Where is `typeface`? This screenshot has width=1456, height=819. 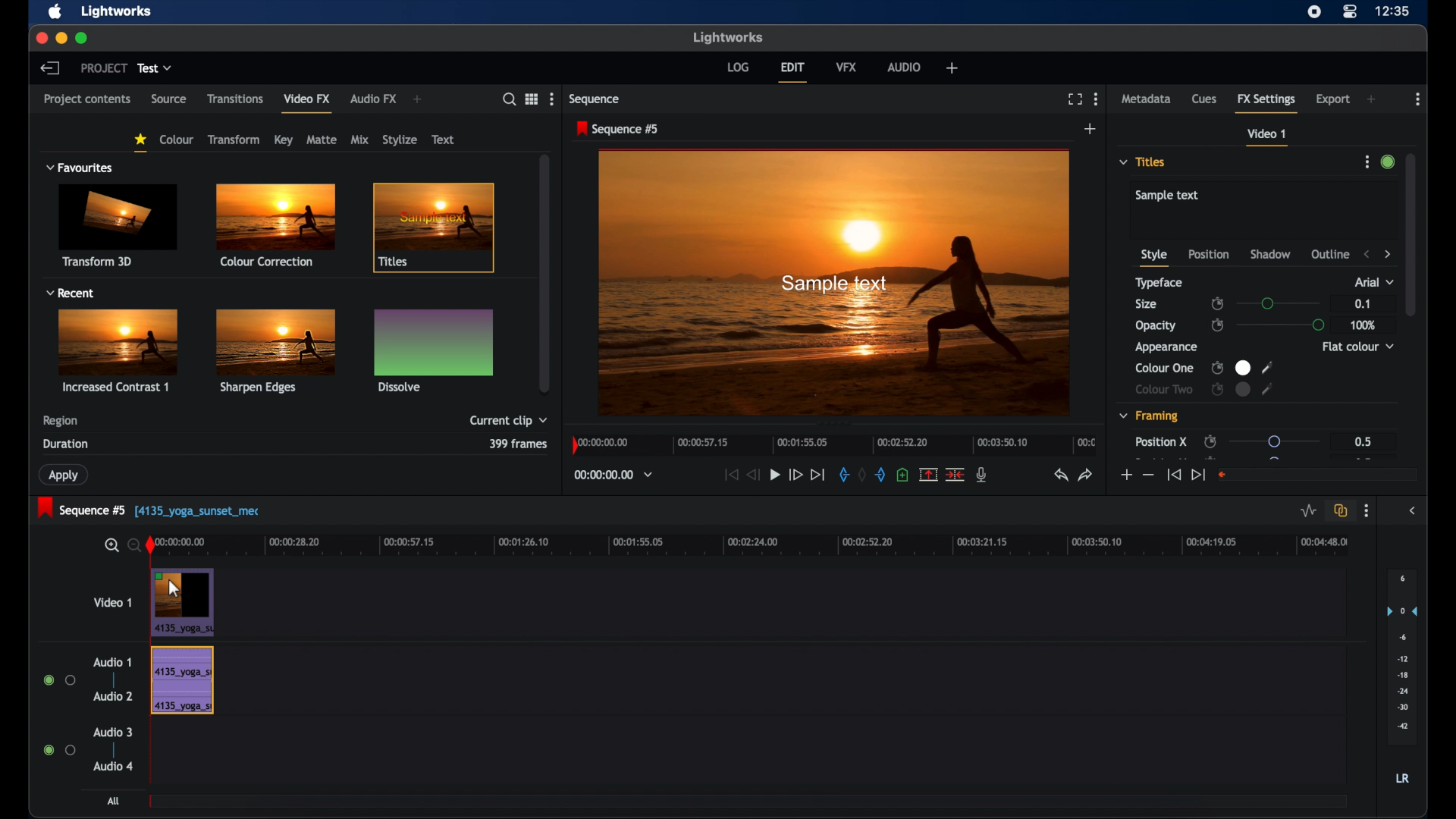
typeface is located at coordinates (1159, 283).